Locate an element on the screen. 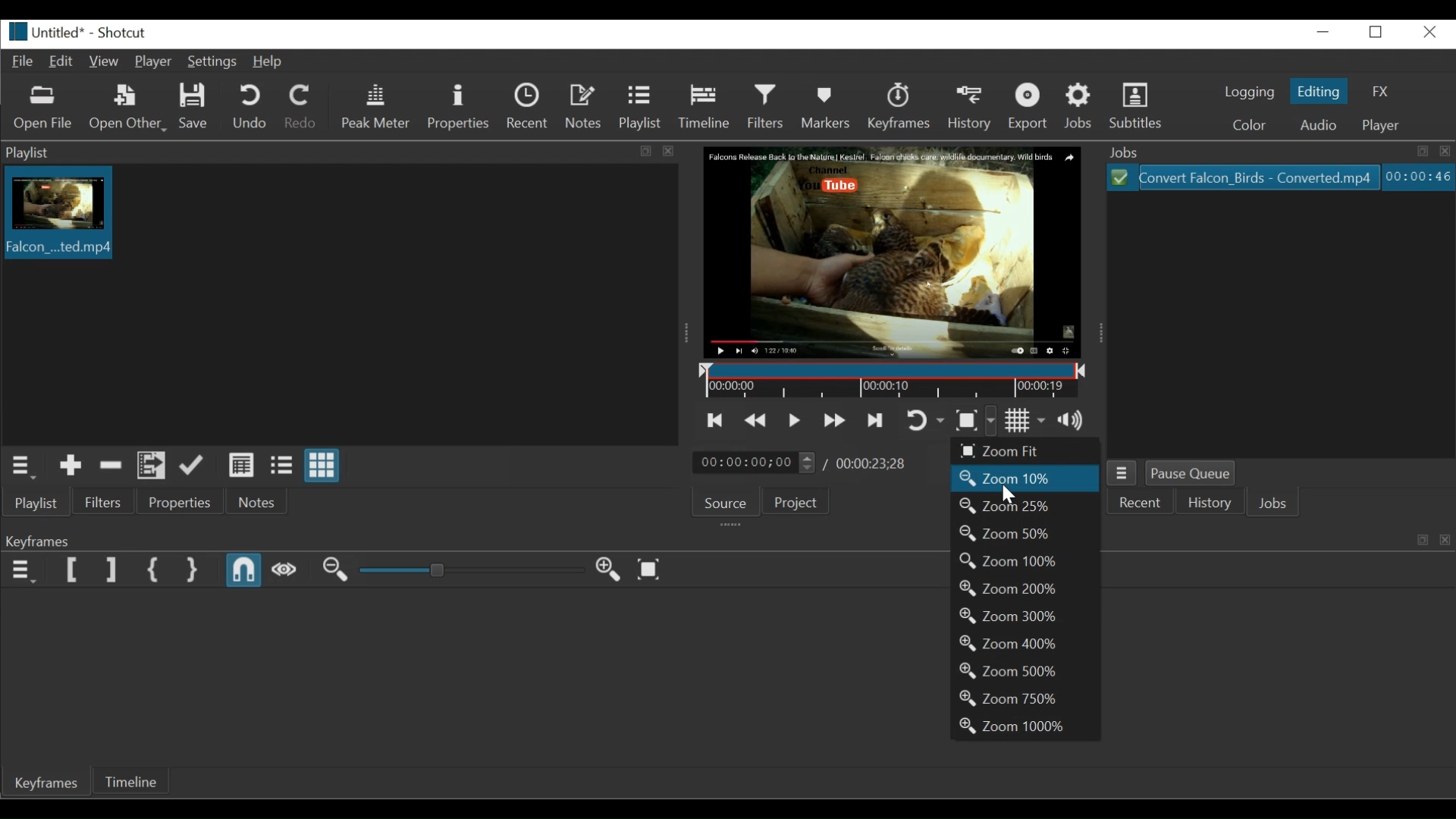  Skip to the next point is located at coordinates (875, 421).